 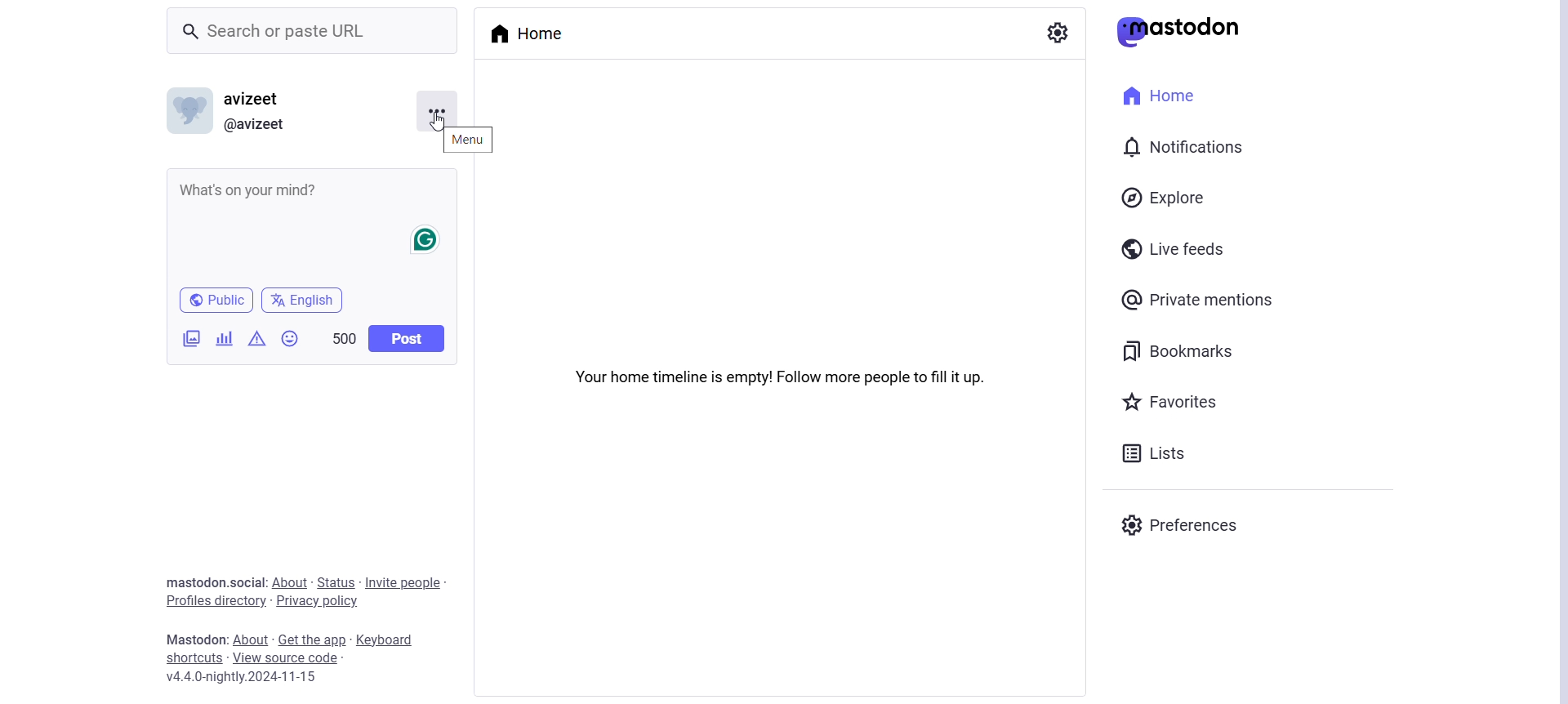 What do you see at coordinates (311, 639) in the screenshot?
I see `Get the app` at bounding box center [311, 639].